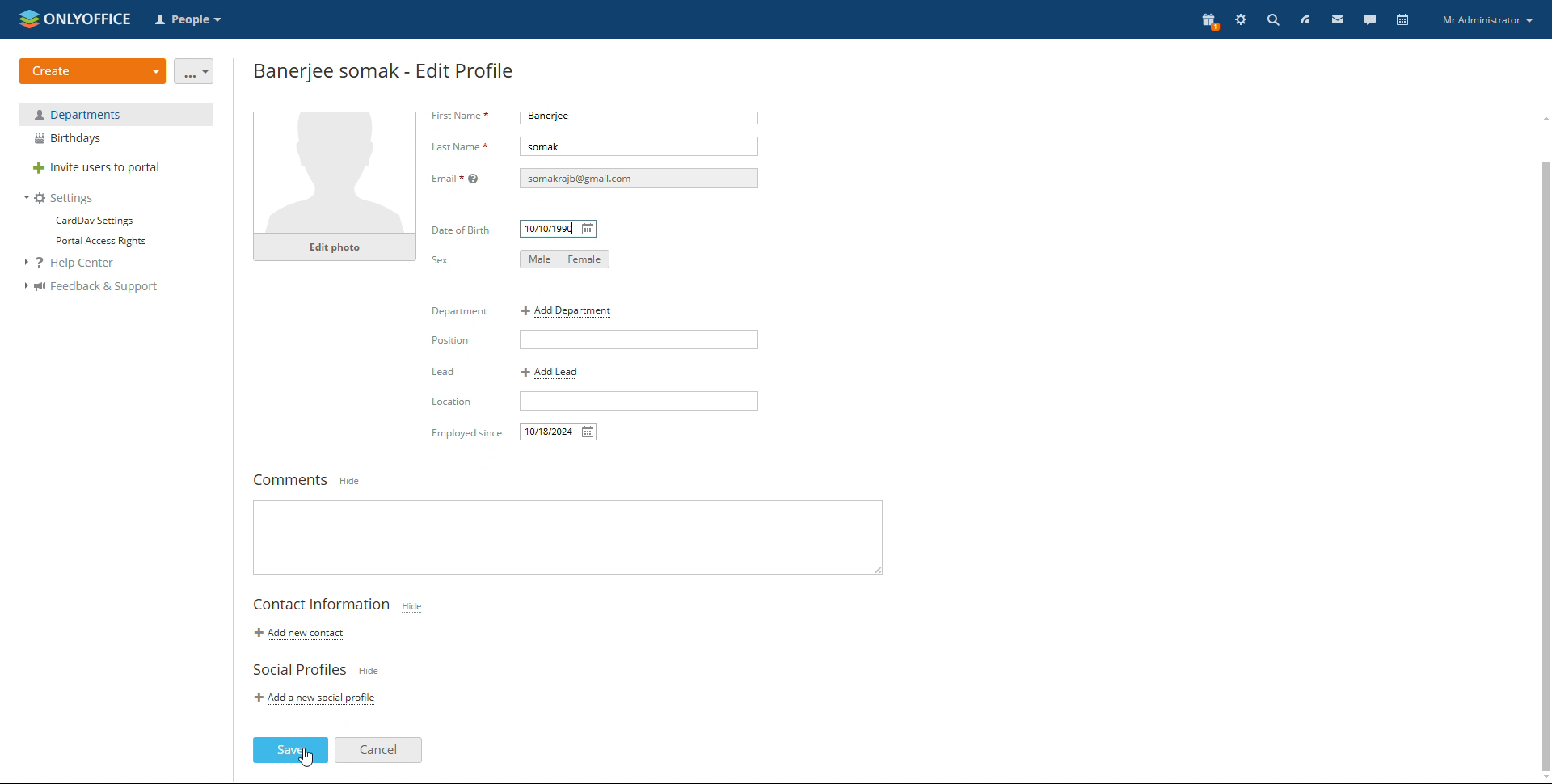 The width and height of the screenshot is (1552, 784). What do you see at coordinates (644, 117) in the screenshot?
I see `first name` at bounding box center [644, 117].